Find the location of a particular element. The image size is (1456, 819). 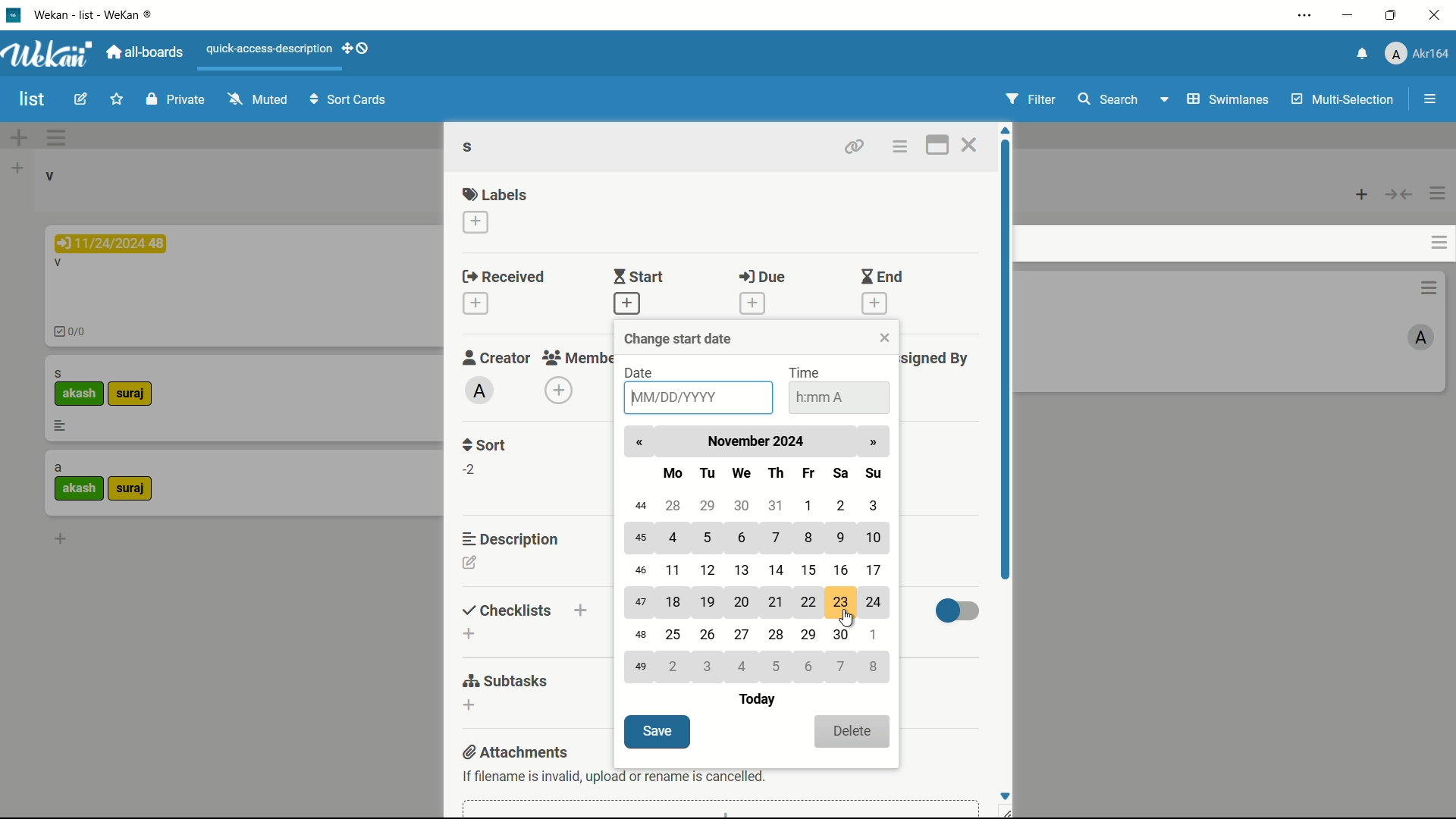

admin is located at coordinates (479, 391).